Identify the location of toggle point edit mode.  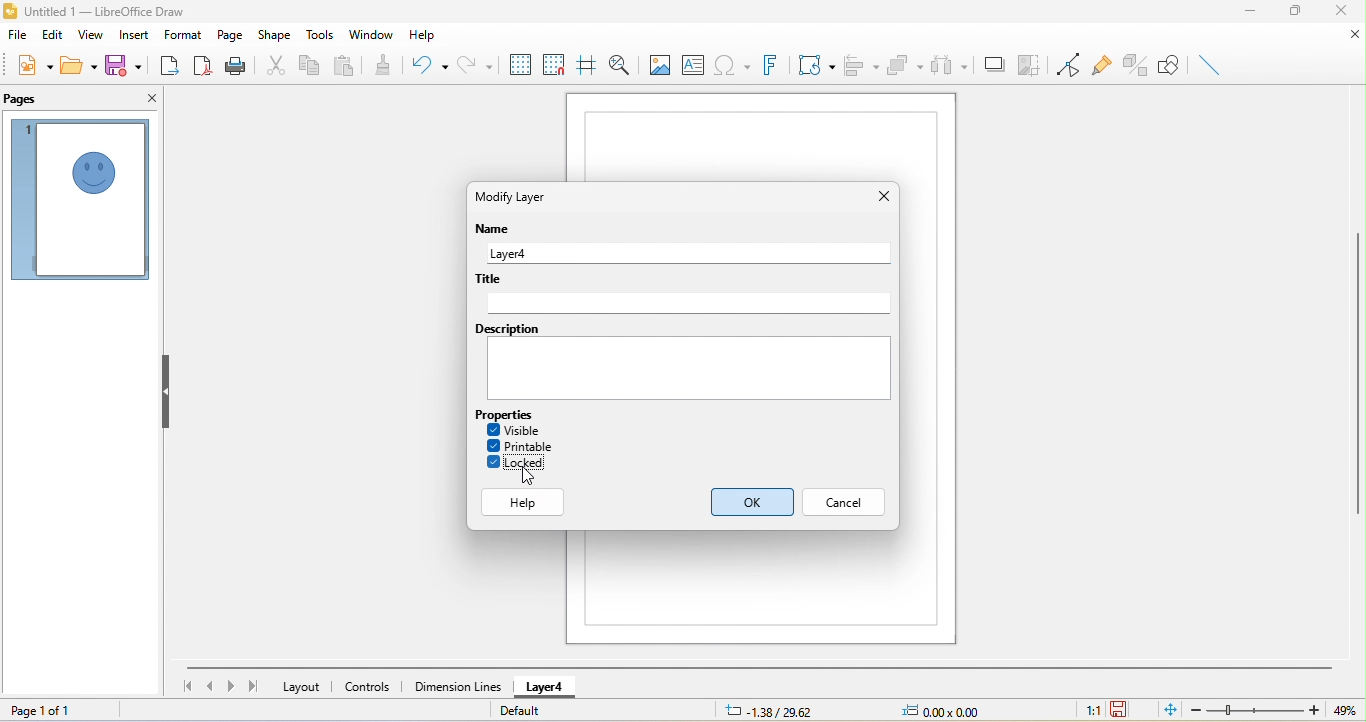
(1068, 66).